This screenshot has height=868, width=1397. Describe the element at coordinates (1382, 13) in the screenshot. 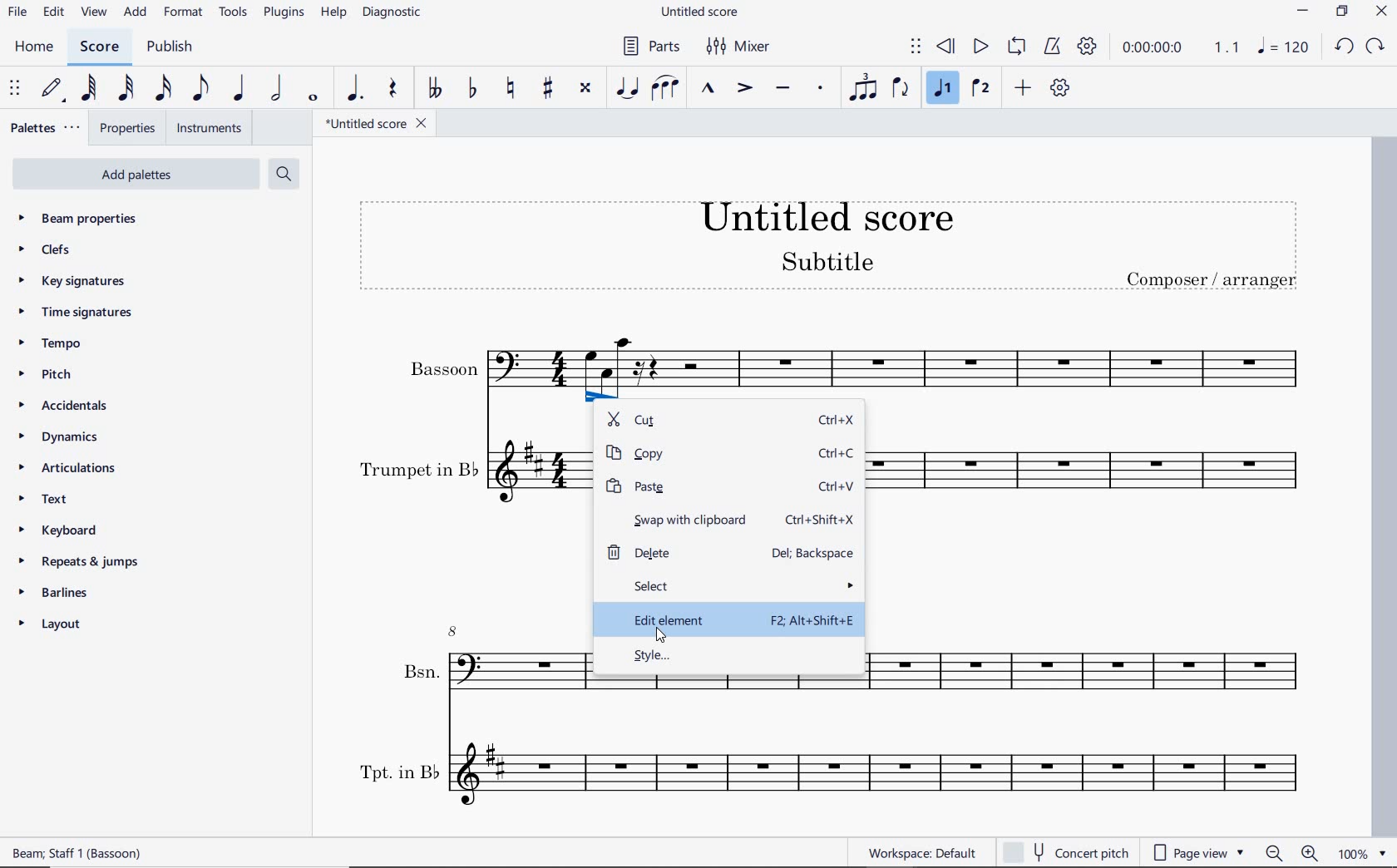

I see `CLOSE` at that location.